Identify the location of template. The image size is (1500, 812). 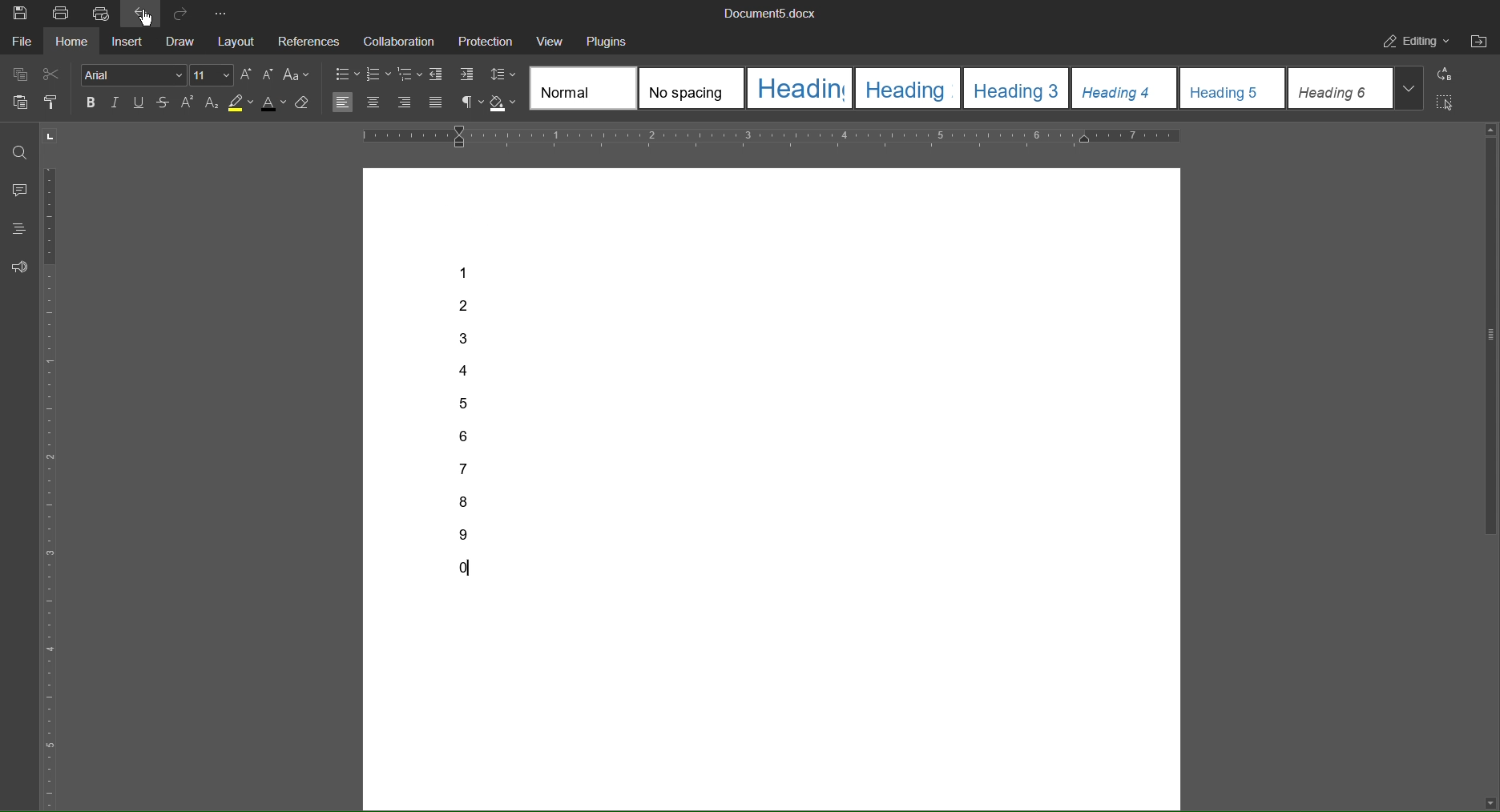
(692, 88).